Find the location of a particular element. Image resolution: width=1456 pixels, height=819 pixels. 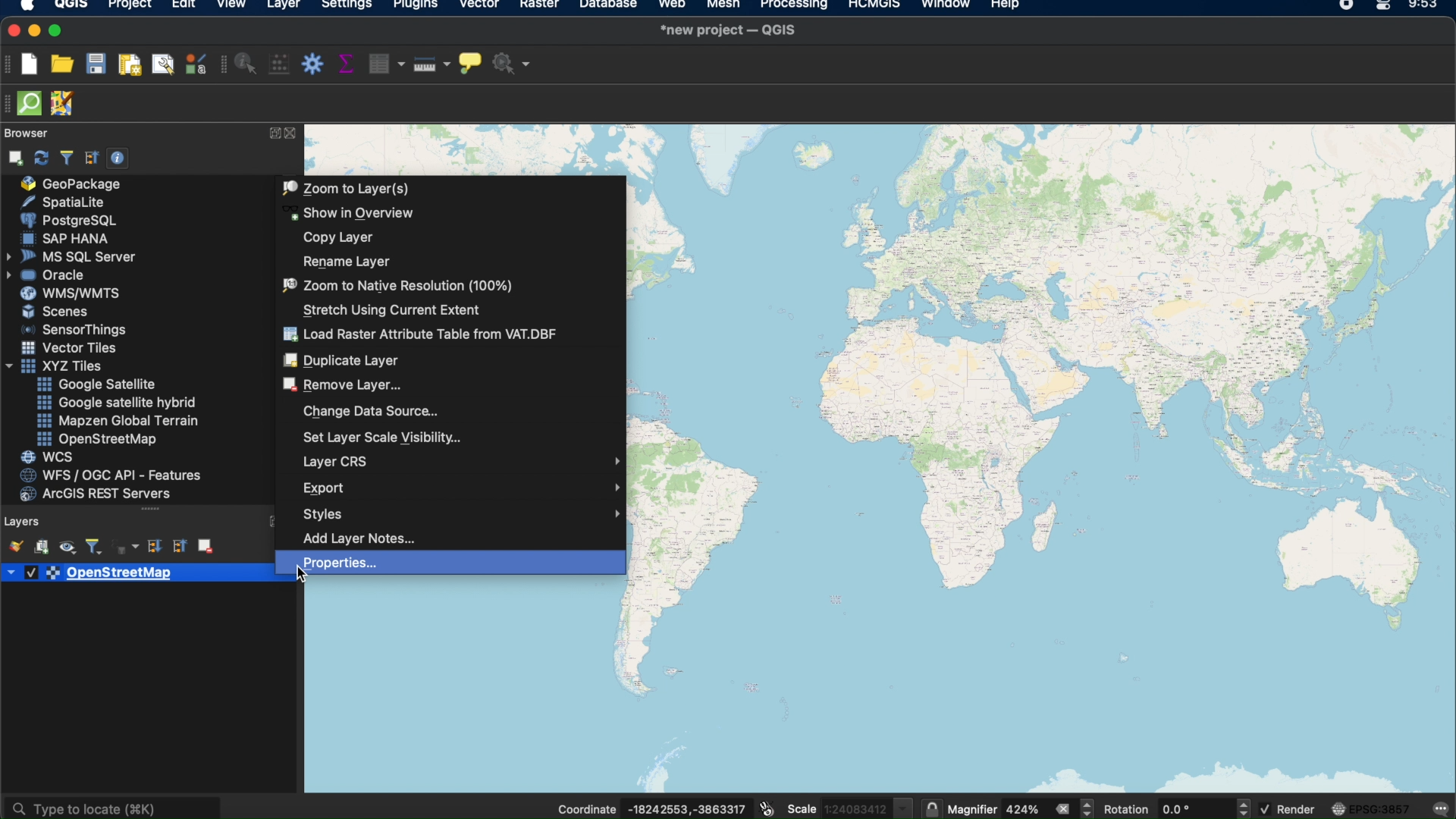

set layer scale visibility is located at coordinates (385, 437).